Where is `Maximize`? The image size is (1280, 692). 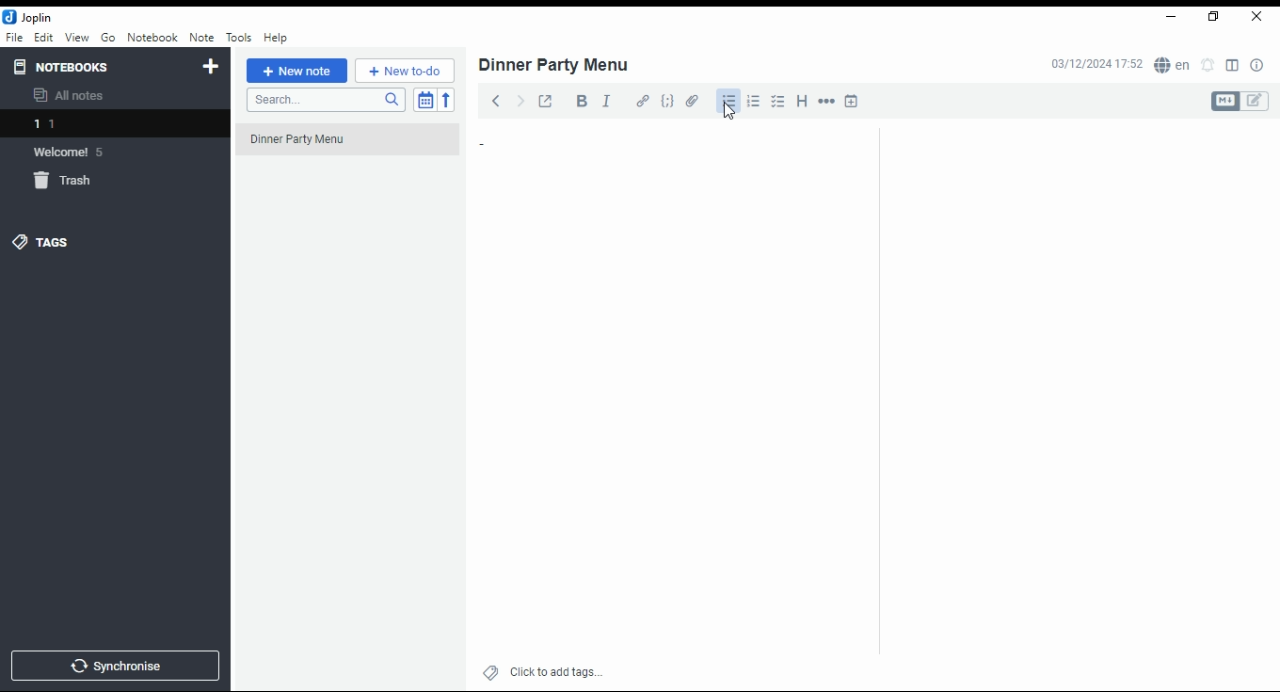
Maximize is located at coordinates (1214, 18).